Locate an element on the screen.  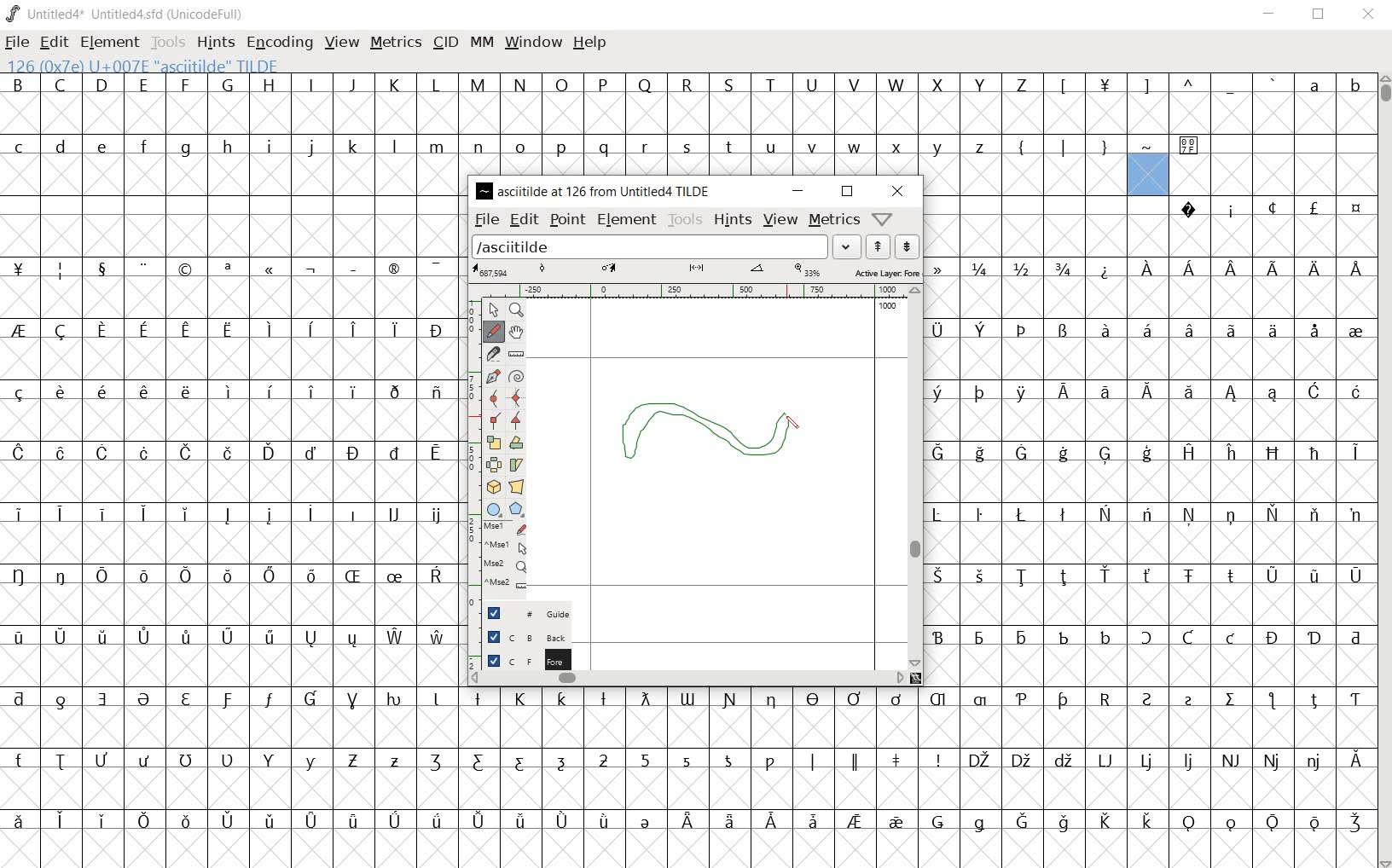
METRICS is located at coordinates (395, 42).